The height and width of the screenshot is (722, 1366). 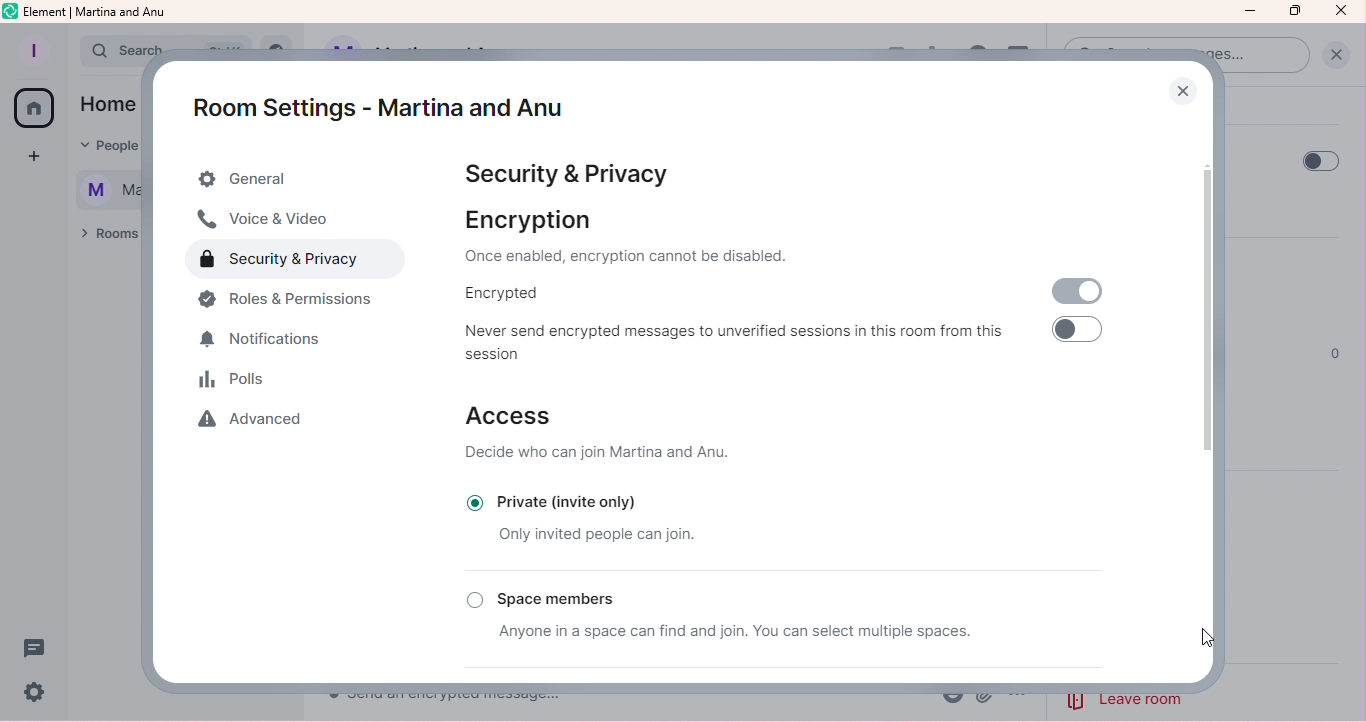 What do you see at coordinates (1073, 292) in the screenshot?
I see `Toggle` at bounding box center [1073, 292].